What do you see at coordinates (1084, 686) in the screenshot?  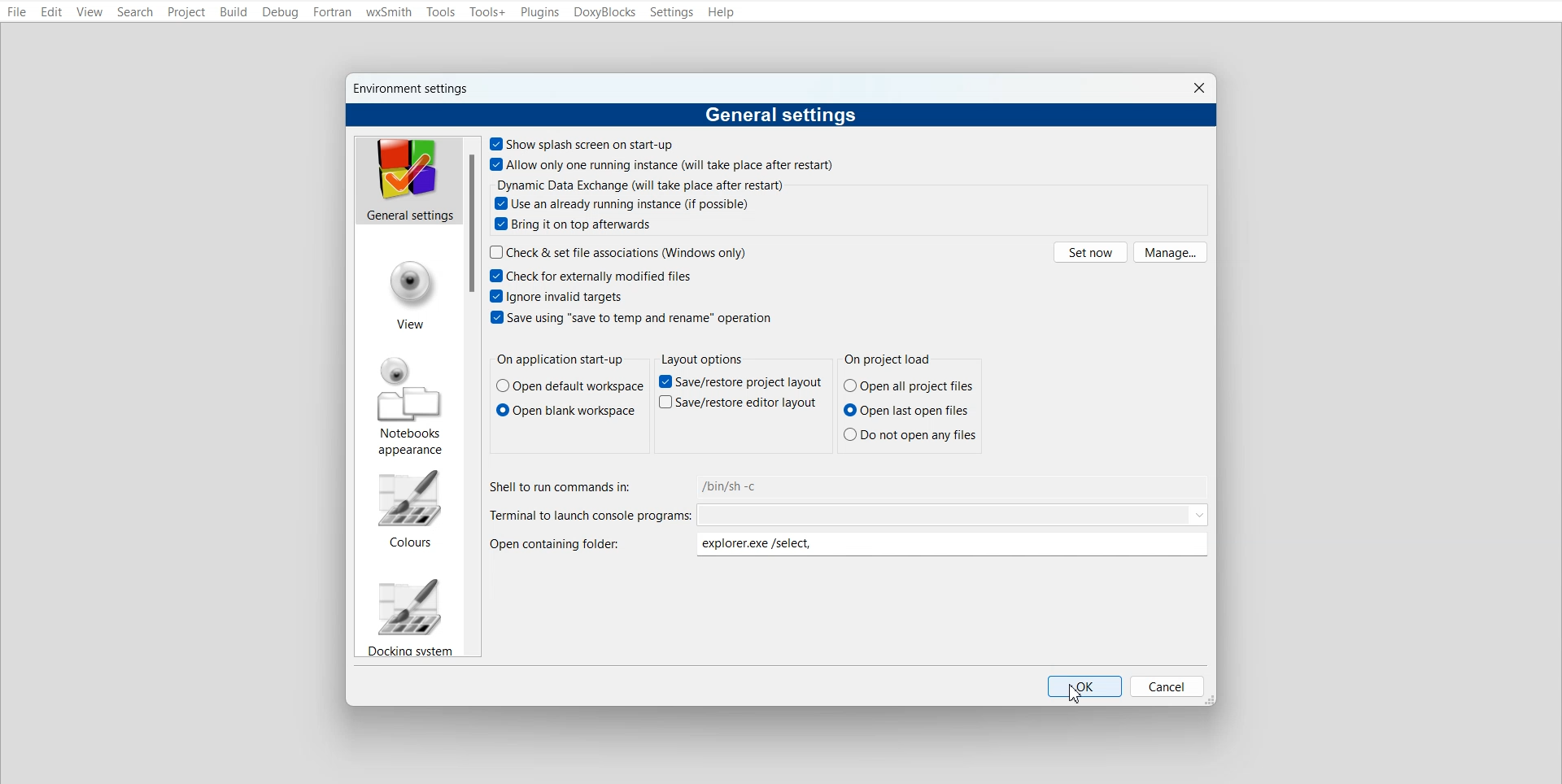 I see `OK` at bounding box center [1084, 686].